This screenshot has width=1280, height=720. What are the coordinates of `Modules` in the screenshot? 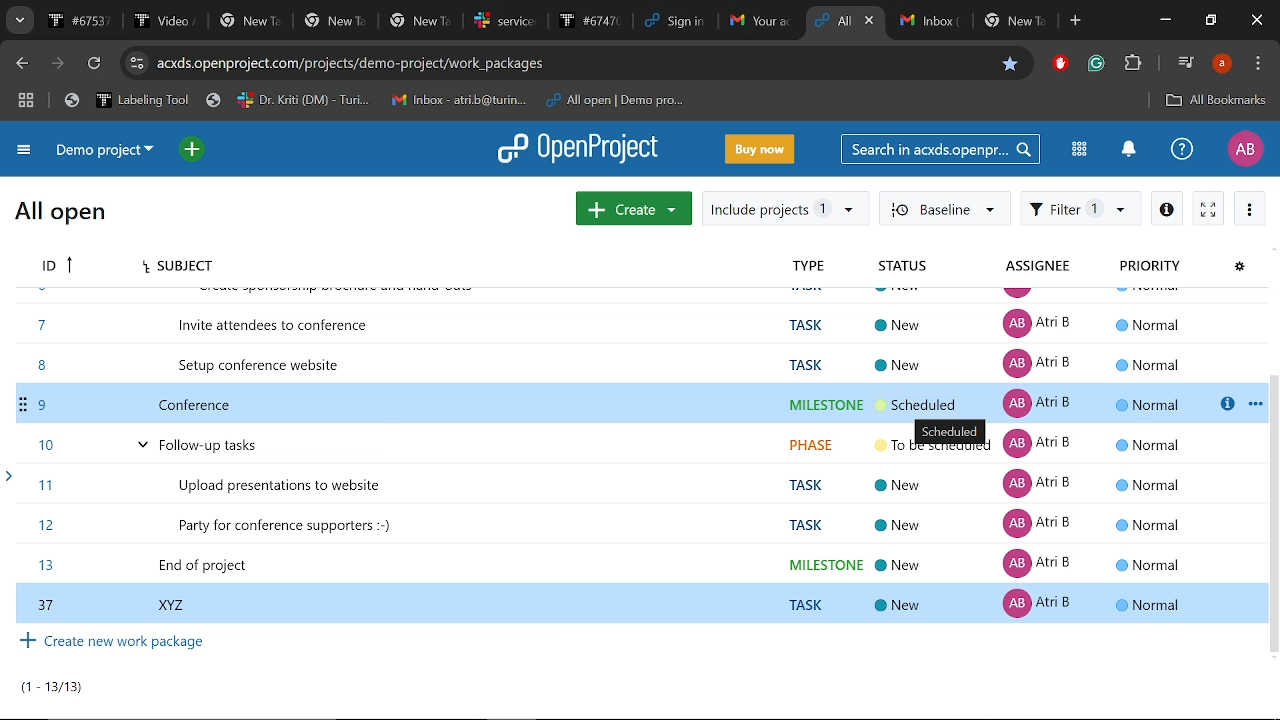 It's located at (1078, 151).